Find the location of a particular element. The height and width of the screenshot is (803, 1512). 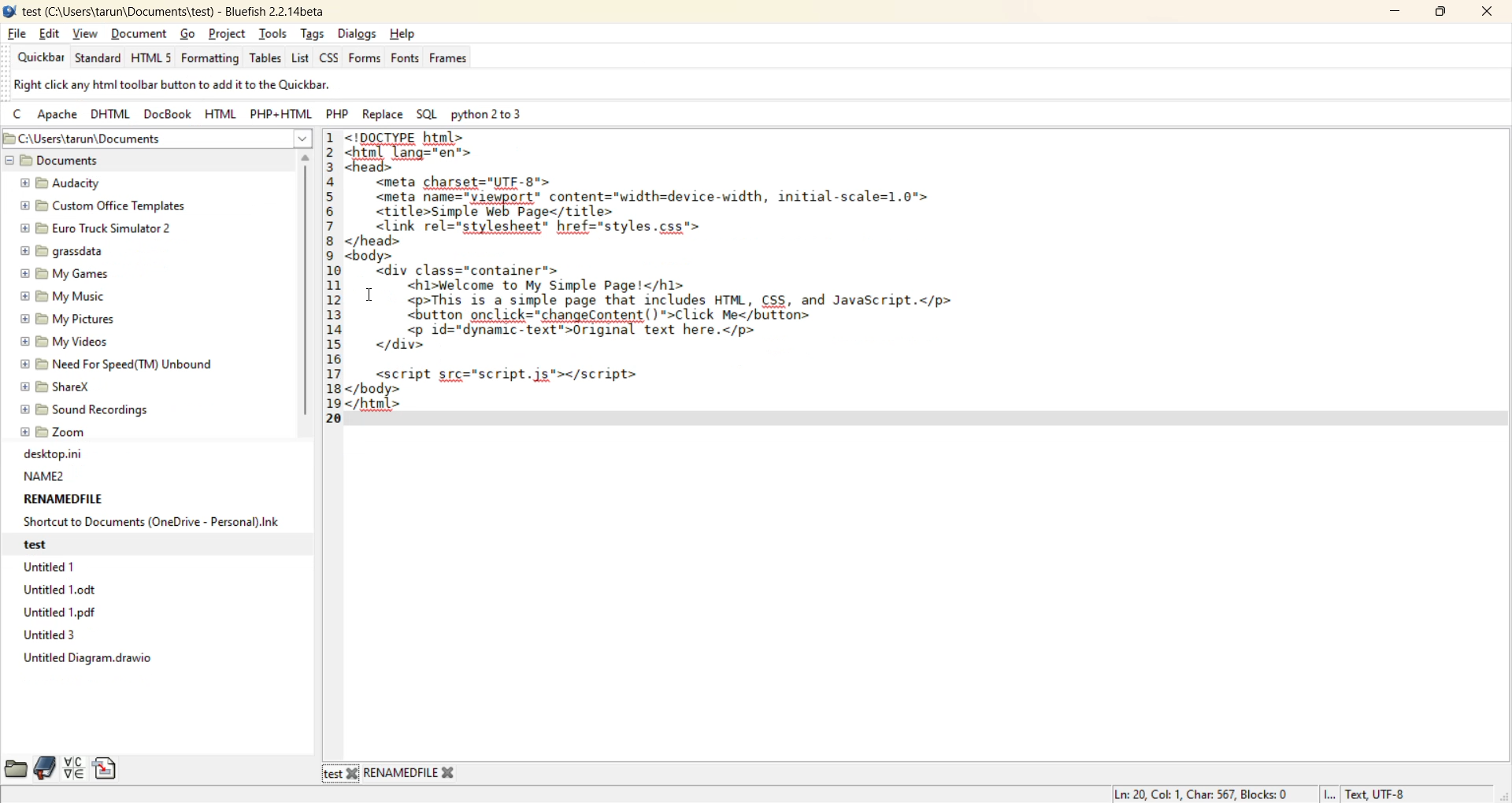

apache is located at coordinates (57, 113).